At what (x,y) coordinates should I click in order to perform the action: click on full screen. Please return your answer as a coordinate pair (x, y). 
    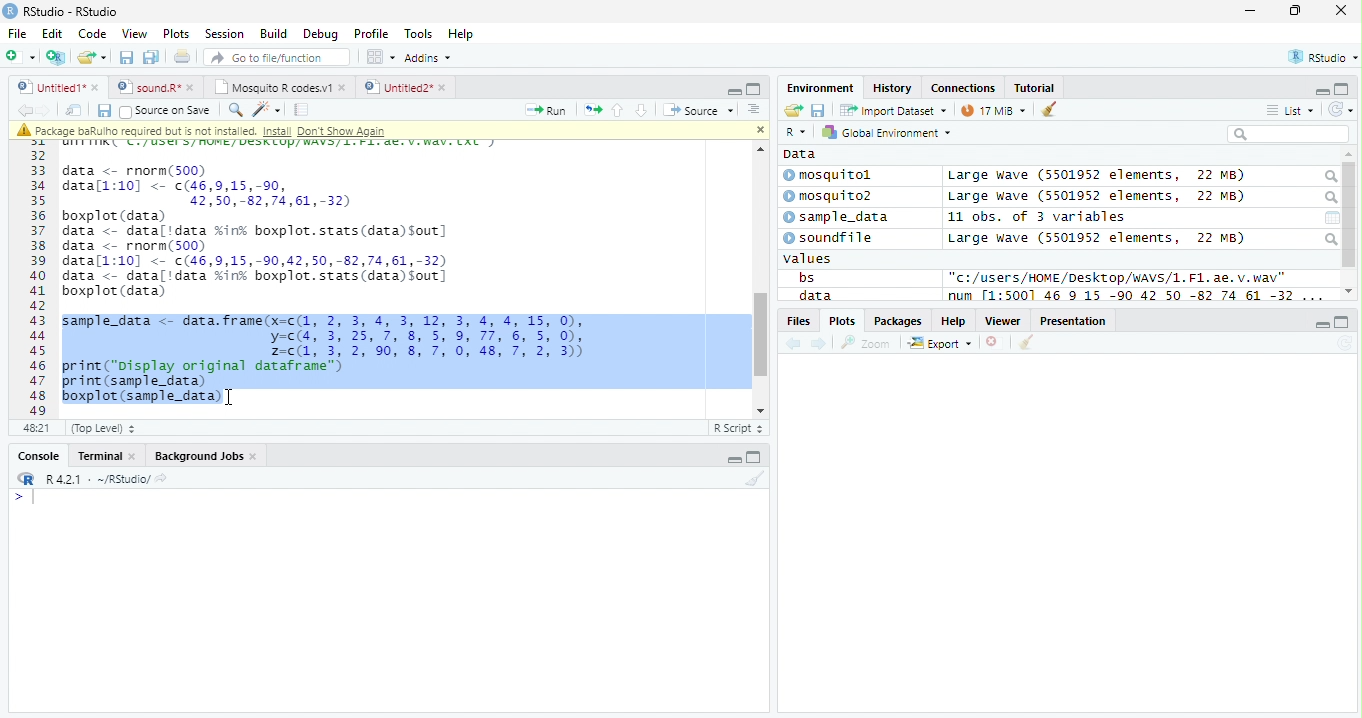
    Looking at the image, I should click on (754, 456).